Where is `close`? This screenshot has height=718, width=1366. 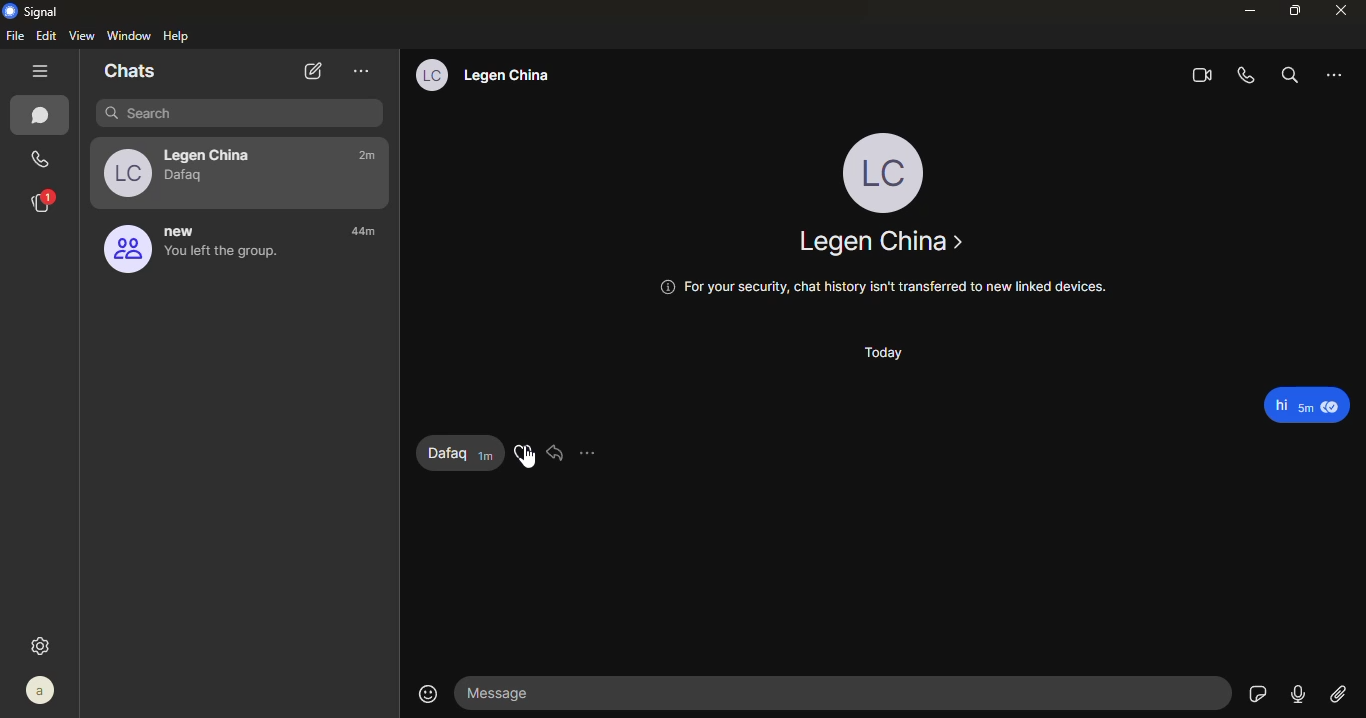 close is located at coordinates (1344, 10).